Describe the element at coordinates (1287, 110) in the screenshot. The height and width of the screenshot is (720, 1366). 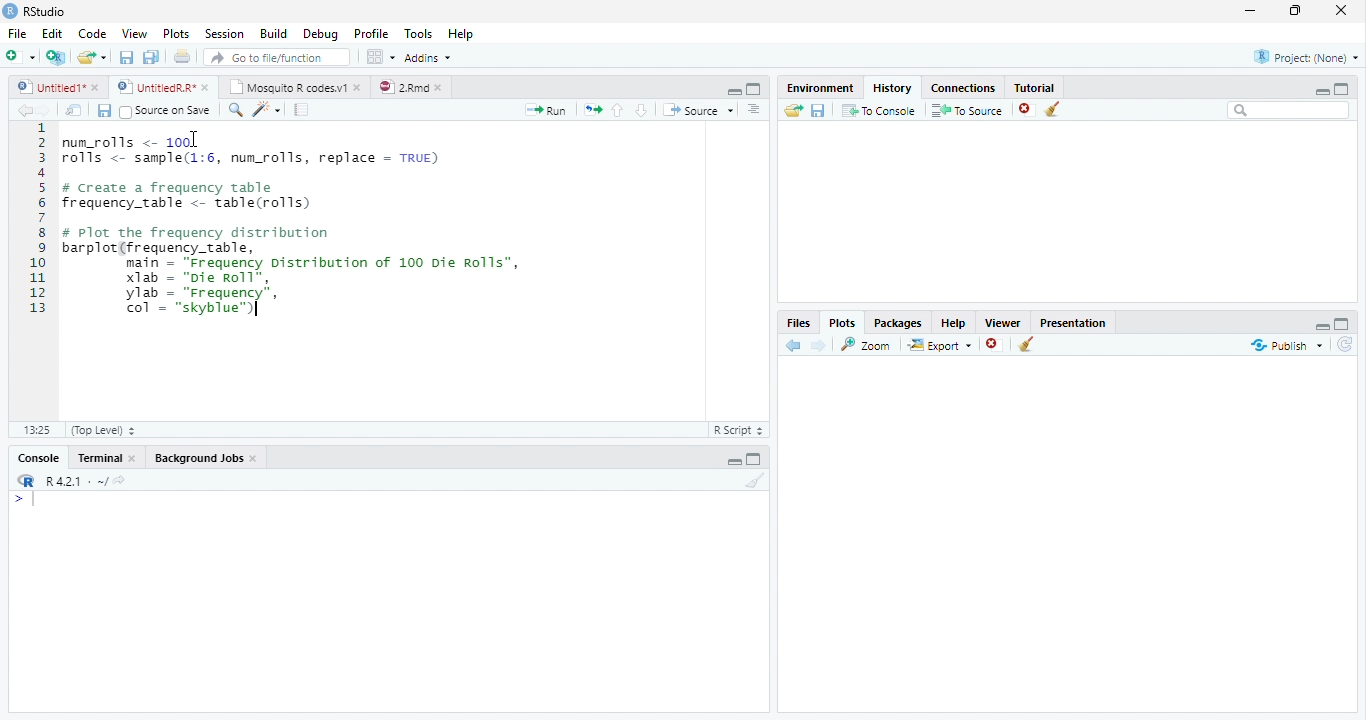
I see `Search` at that location.